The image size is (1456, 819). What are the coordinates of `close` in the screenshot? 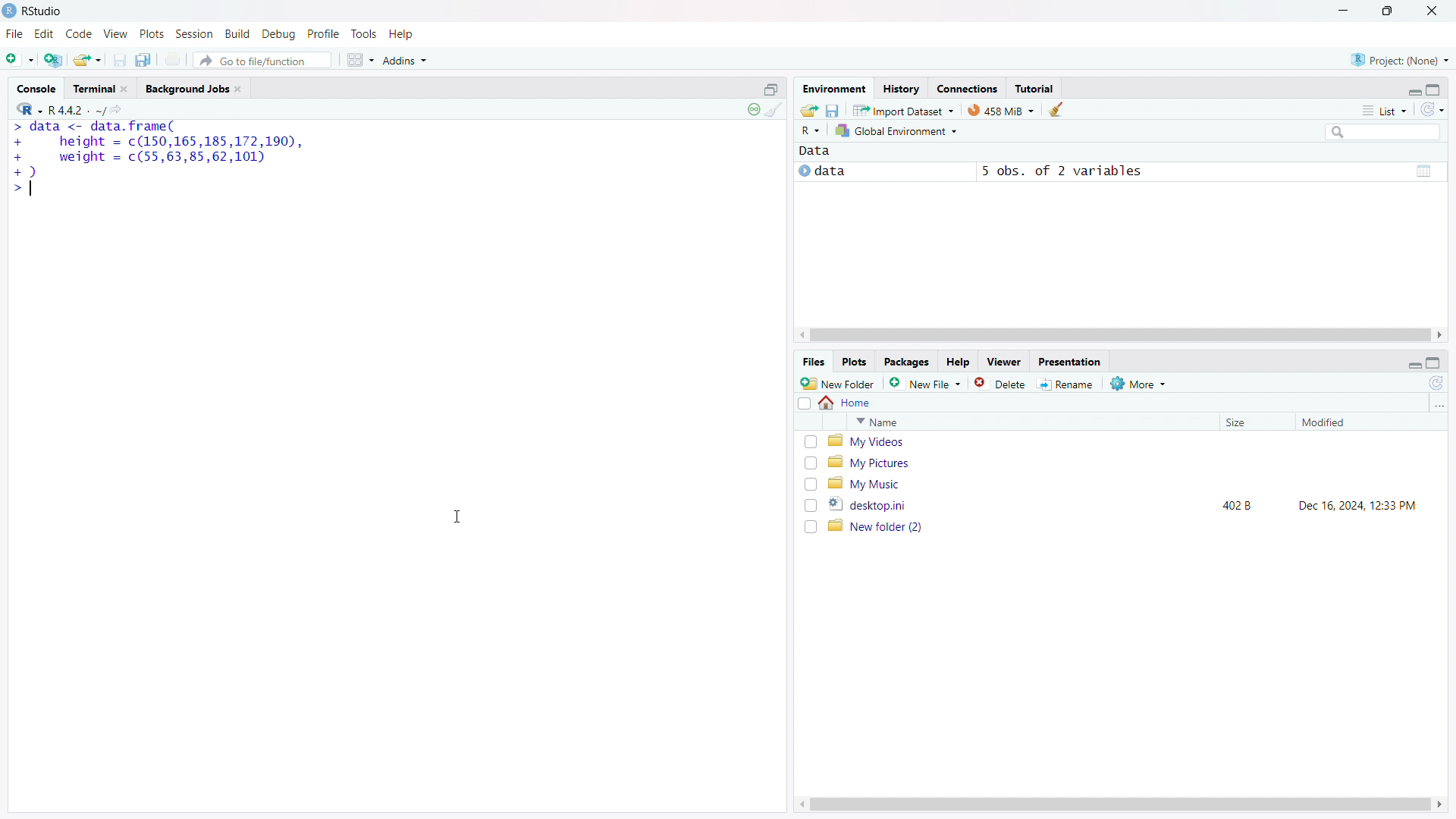 It's located at (124, 89).